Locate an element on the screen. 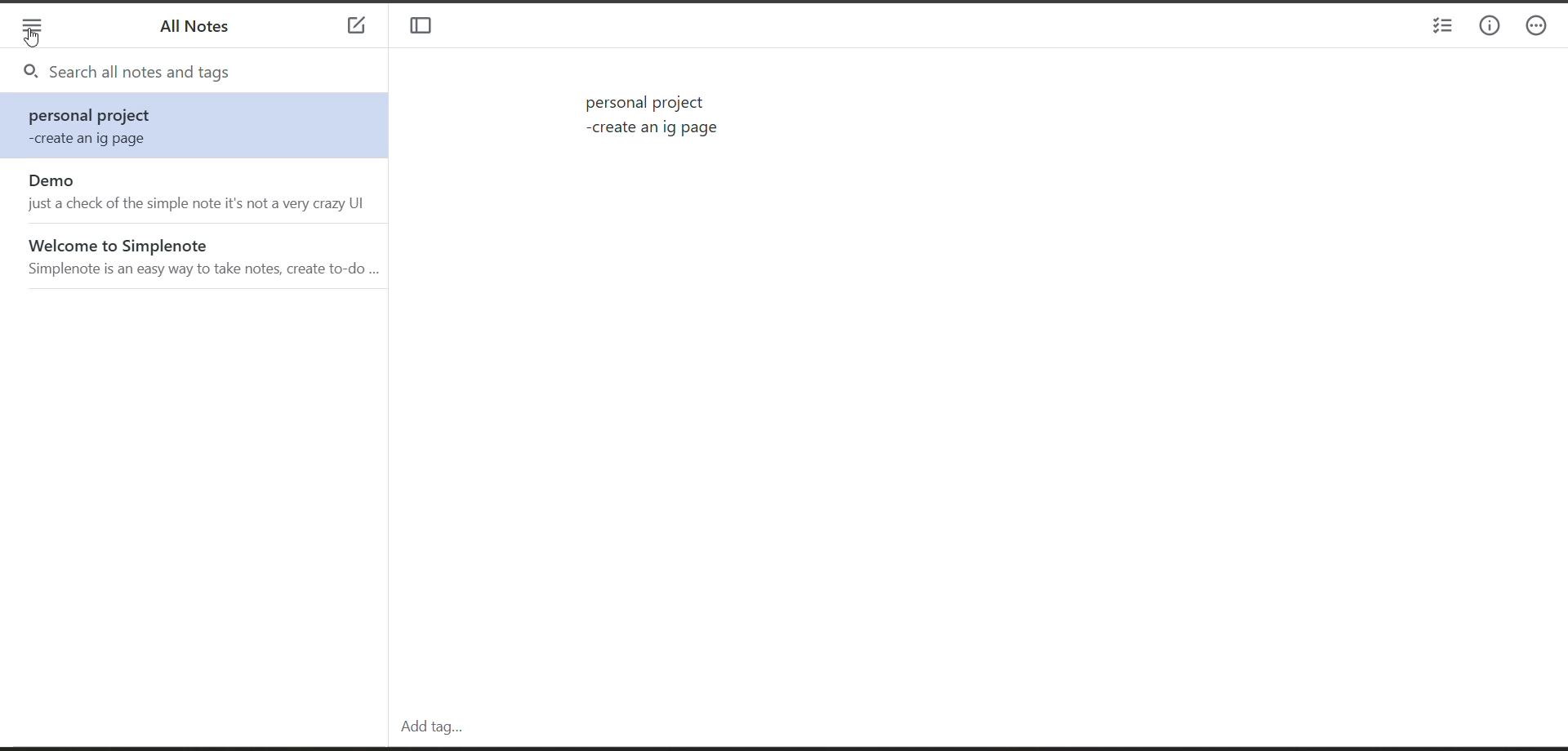 This screenshot has width=1568, height=751. note 2 is located at coordinates (199, 192).